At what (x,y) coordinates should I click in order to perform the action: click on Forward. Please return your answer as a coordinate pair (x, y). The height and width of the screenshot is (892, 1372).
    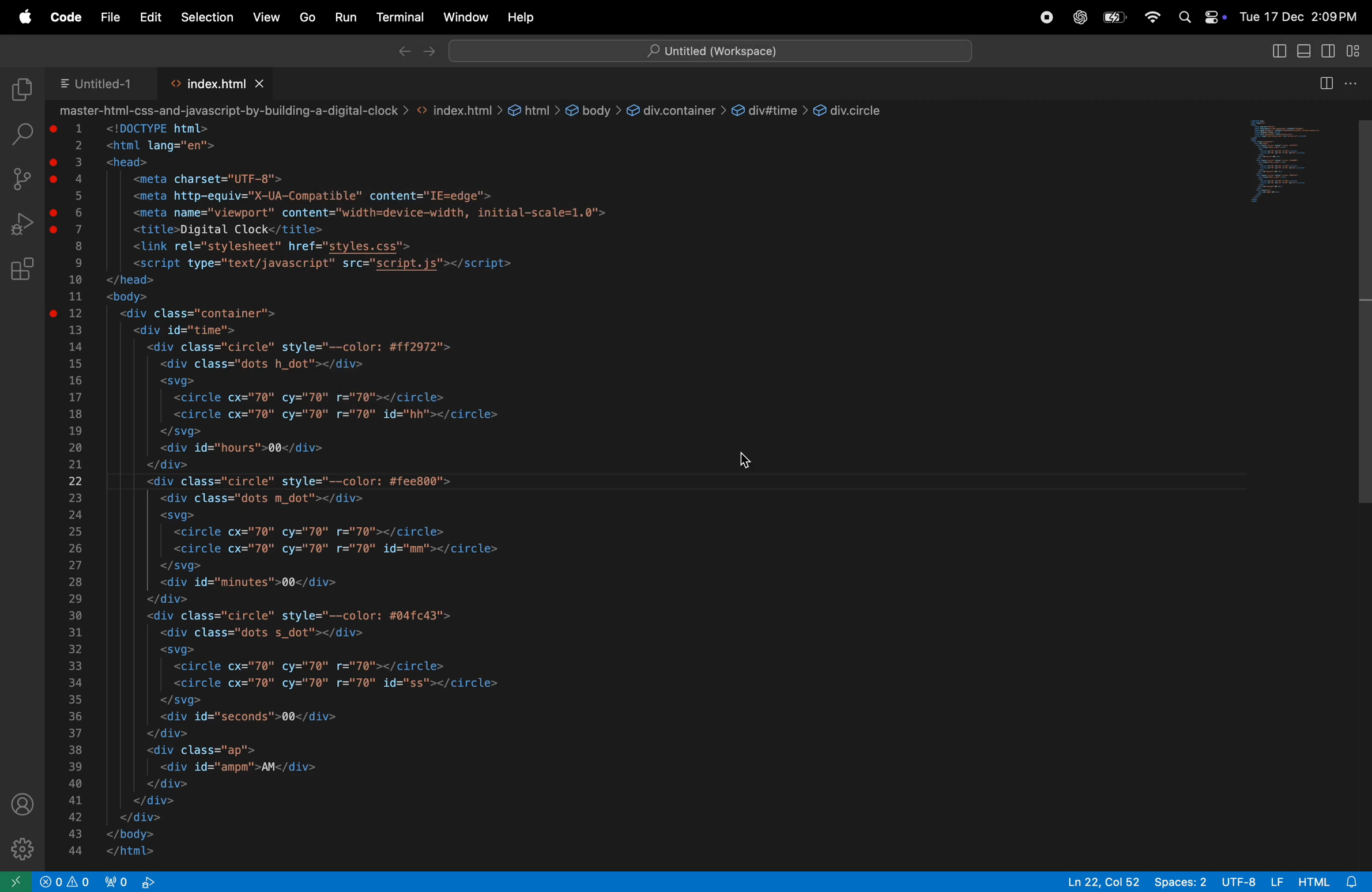
    Looking at the image, I should click on (429, 52).